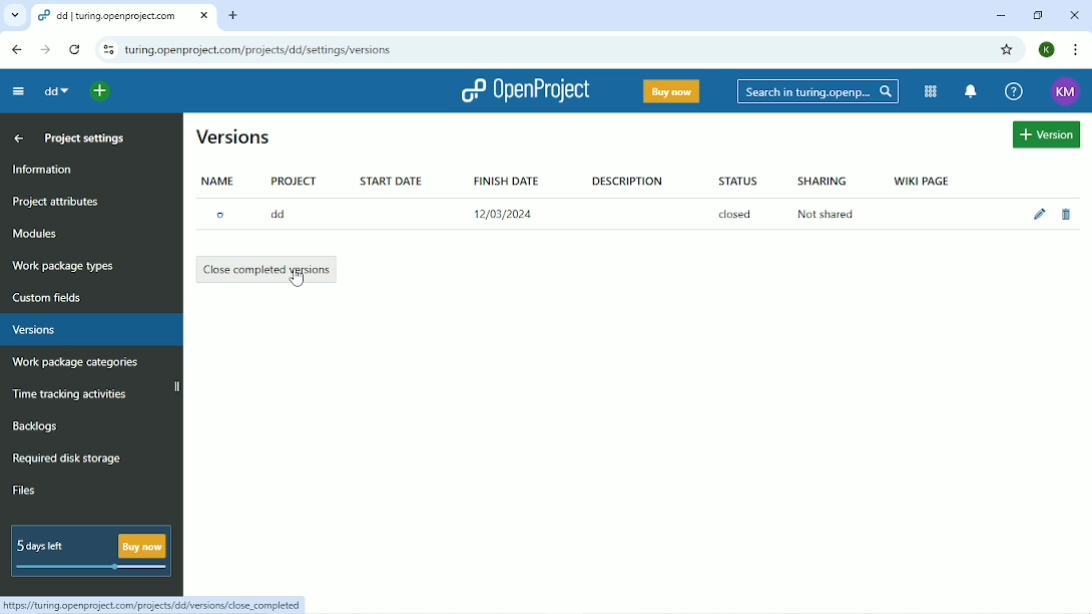 This screenshot has width=1092, height=614. Describe the element at coordinates (37, 234) in the screenshot. I see `Modules` at that location.